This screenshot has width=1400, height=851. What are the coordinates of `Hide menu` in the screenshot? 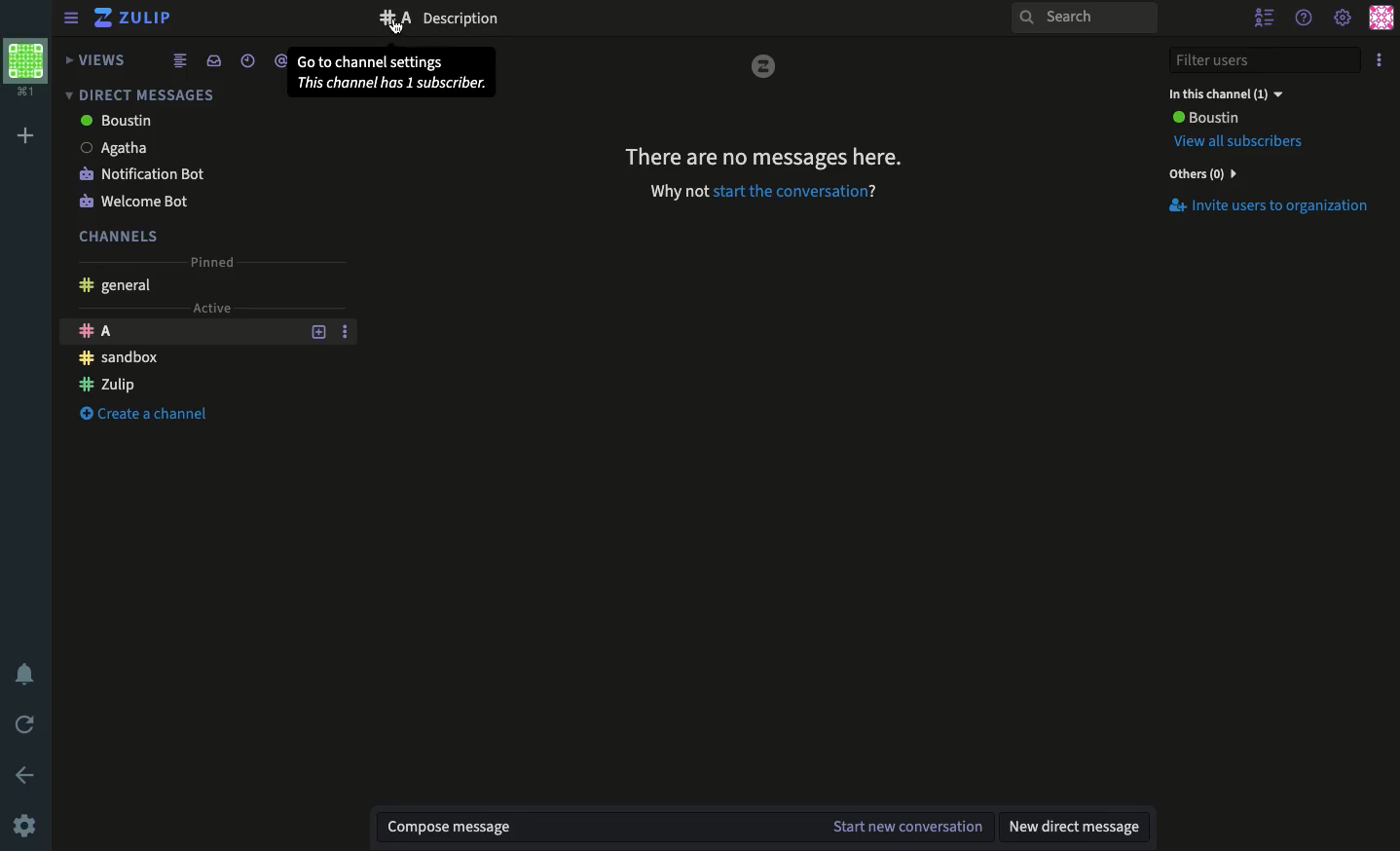 It's located at (68, 18).